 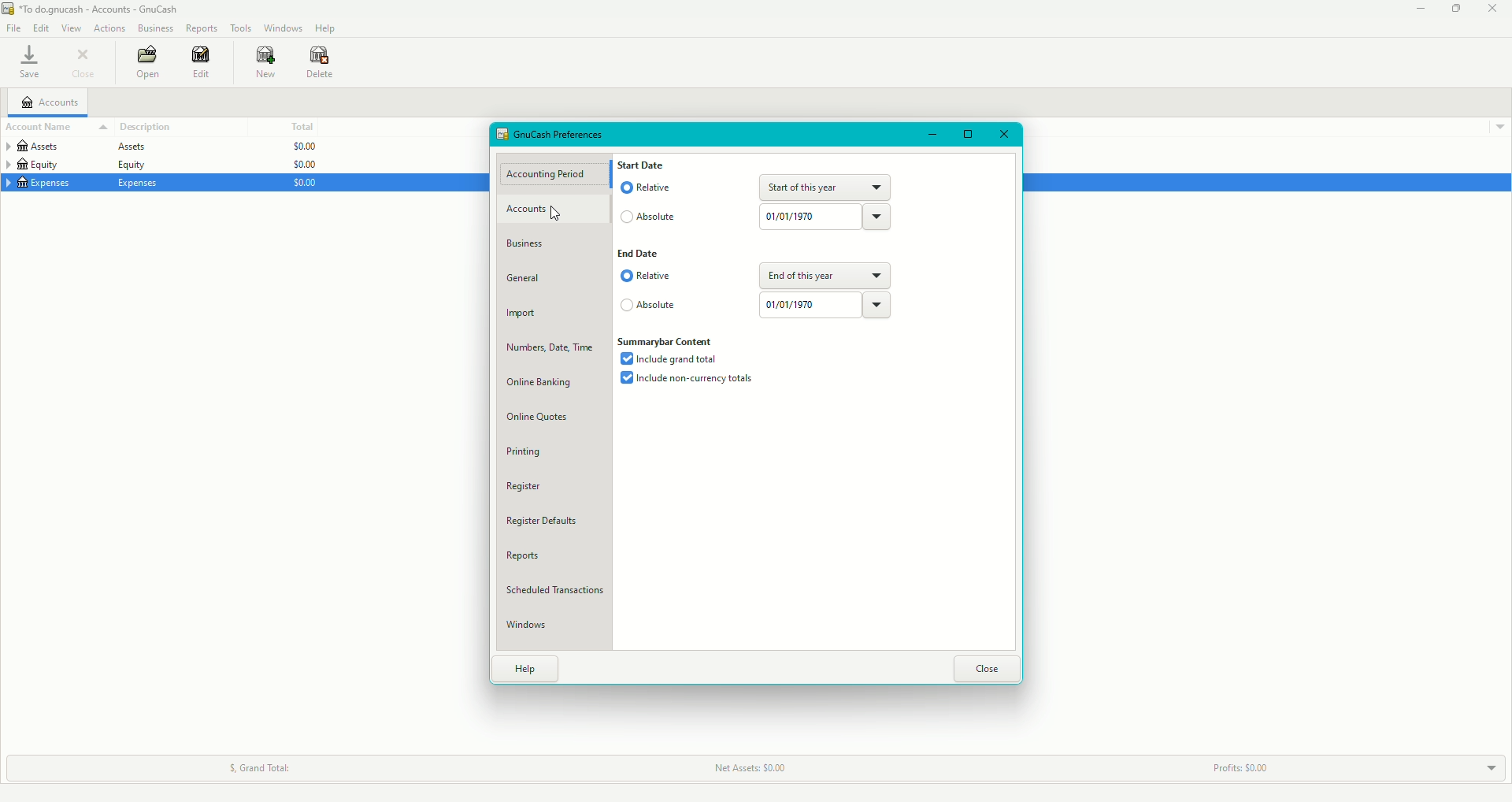 What do you see at coordinates (321, 65) in the screenshot?
I see `Delete` at bounding box center [321, 65].